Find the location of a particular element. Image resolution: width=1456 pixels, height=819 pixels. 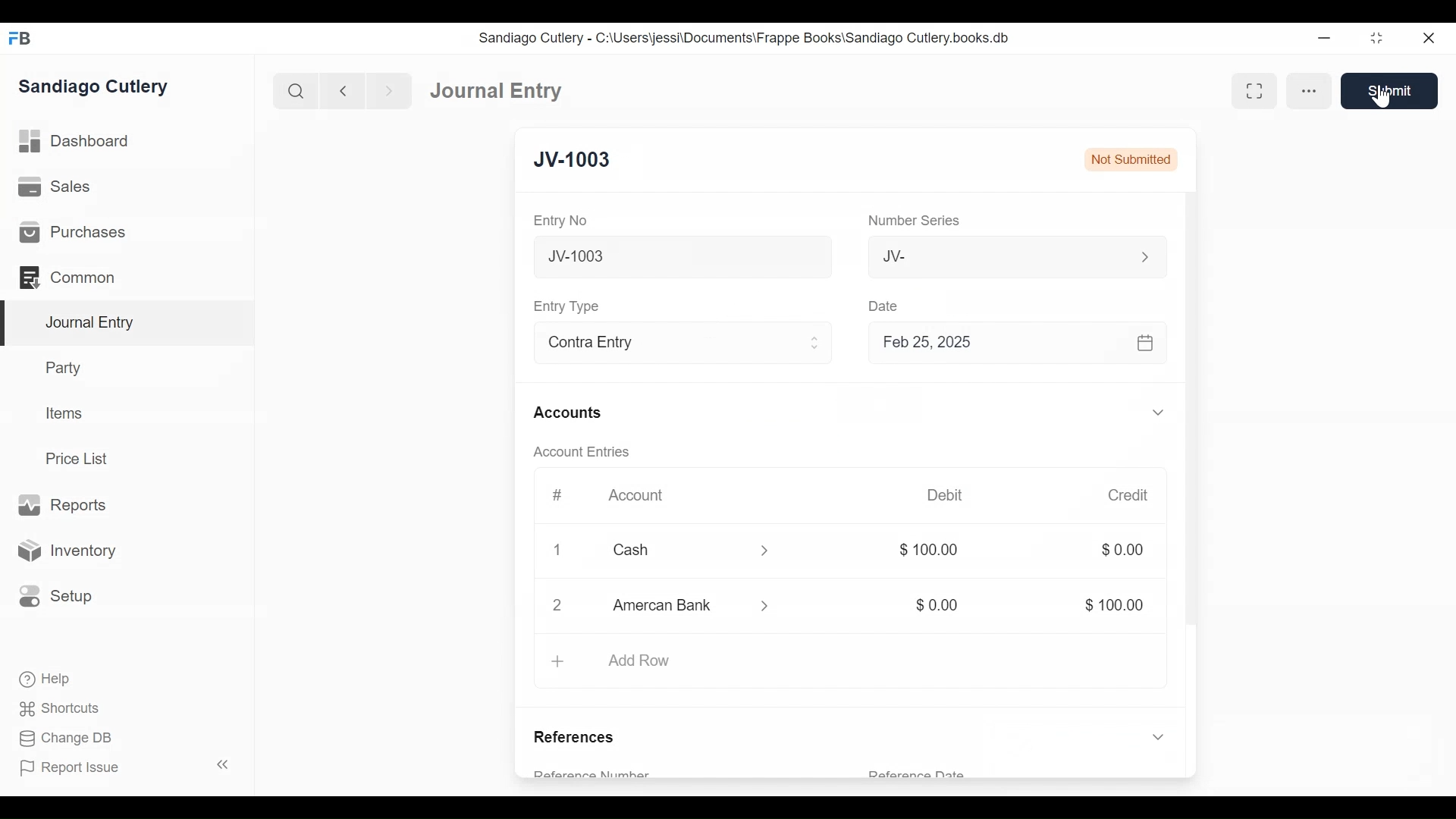

Shortcuts is located at coordinates (55, 708).